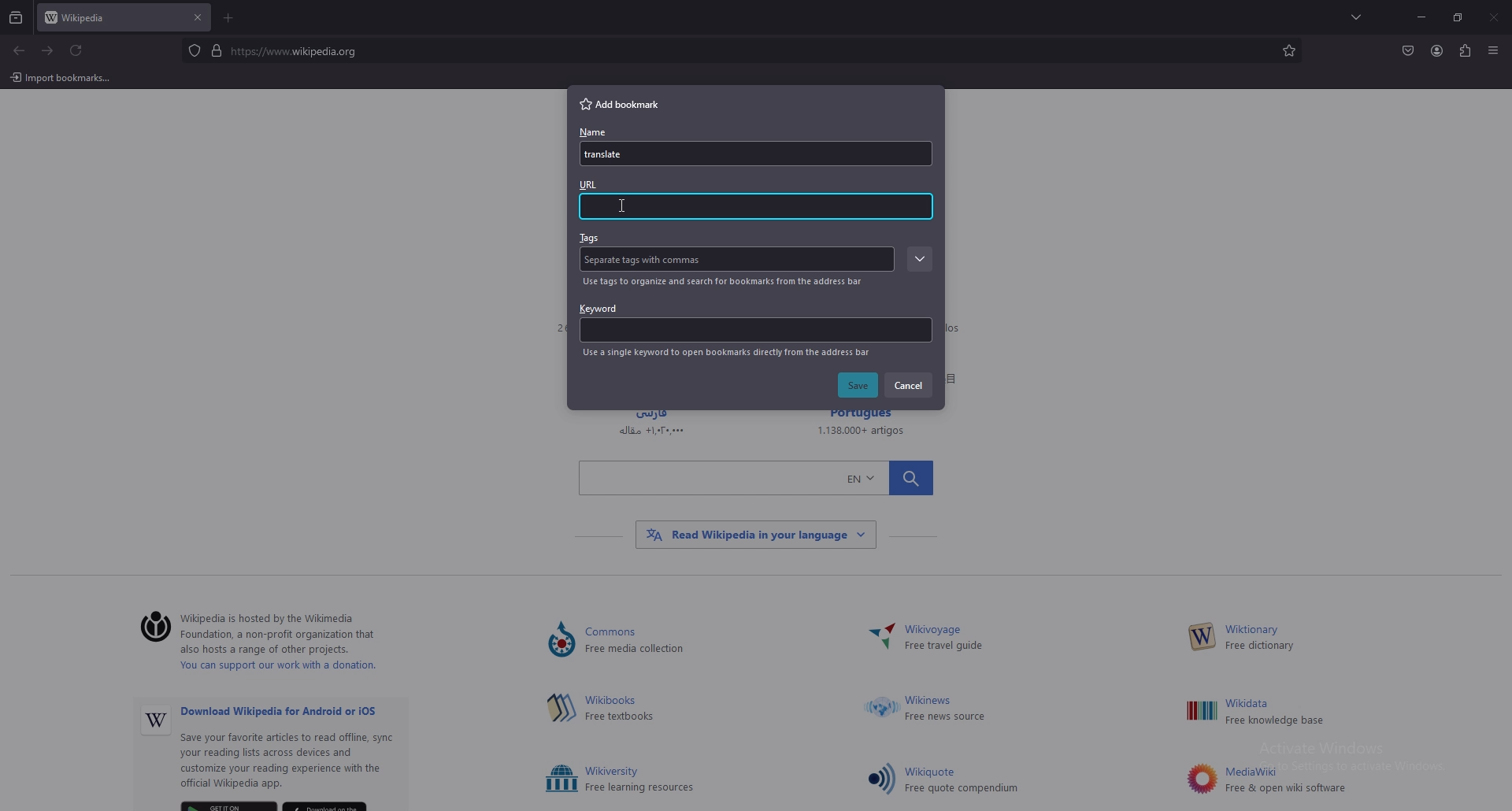  Describe the element at coordinates (1407, 50) in the screenshot. I see `save to pocket` at that location.